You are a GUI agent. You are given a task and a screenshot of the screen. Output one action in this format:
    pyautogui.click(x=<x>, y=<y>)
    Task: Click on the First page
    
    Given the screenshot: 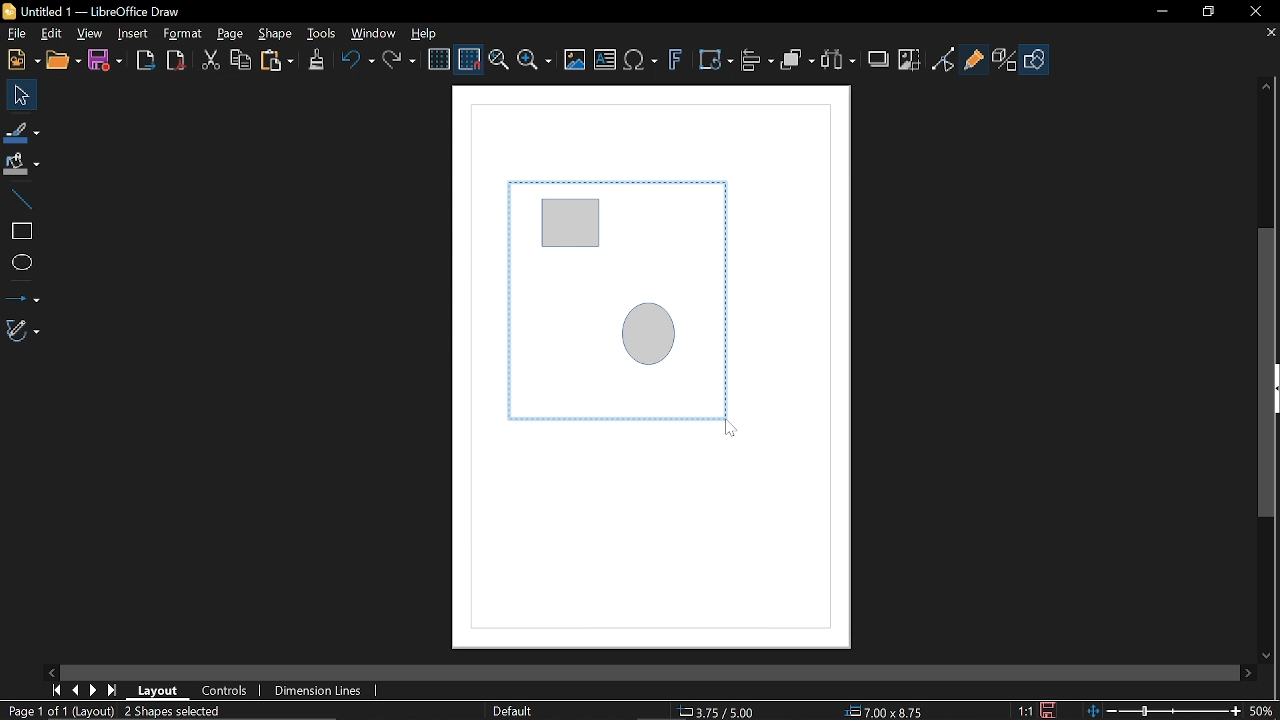 What is the action you would take?
    pyautogui.click(x=55, y=690)
    